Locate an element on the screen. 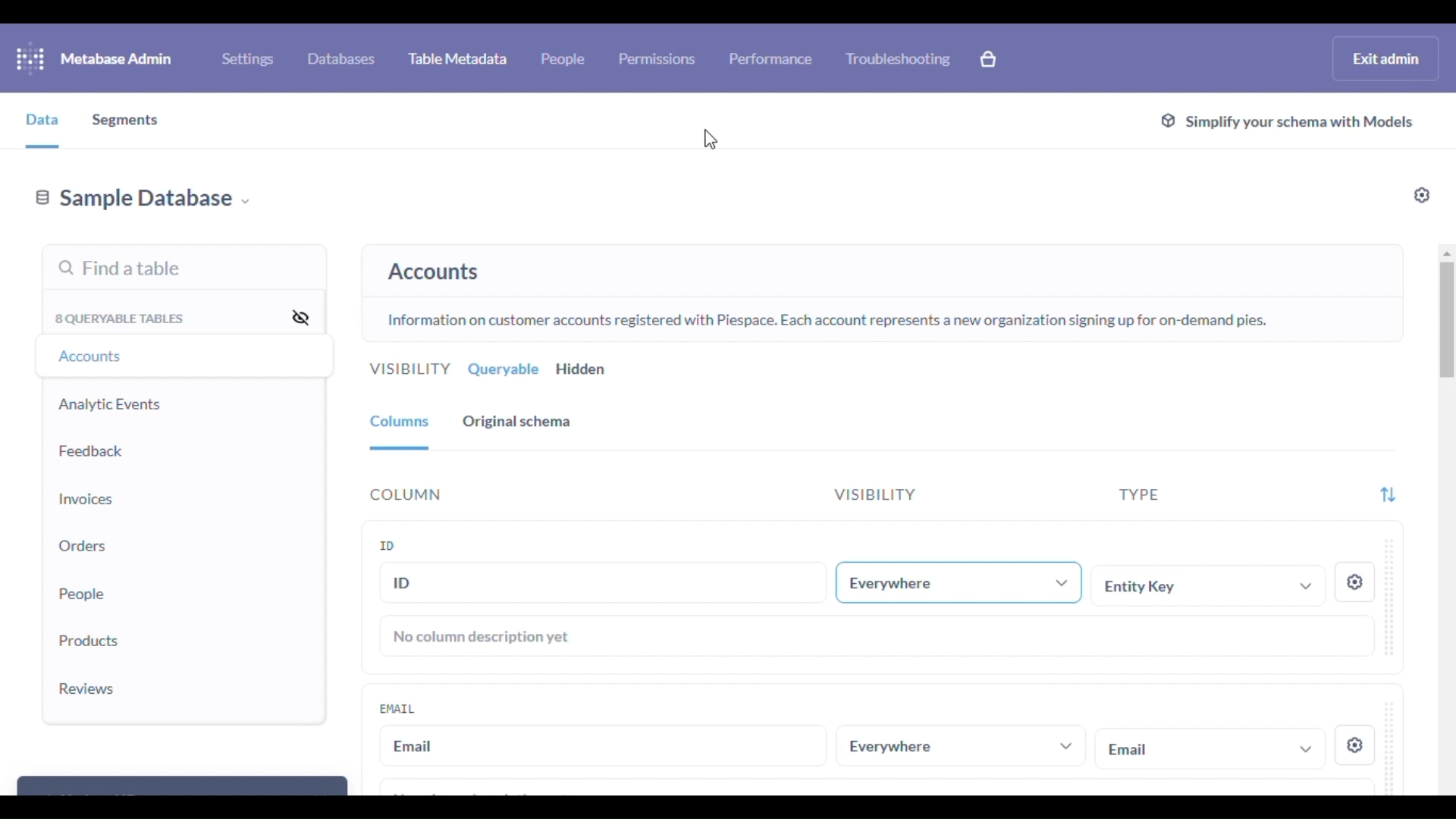 The width and height of the screenshot is (1456, 819). visibility is located at coordinates (409, 369).